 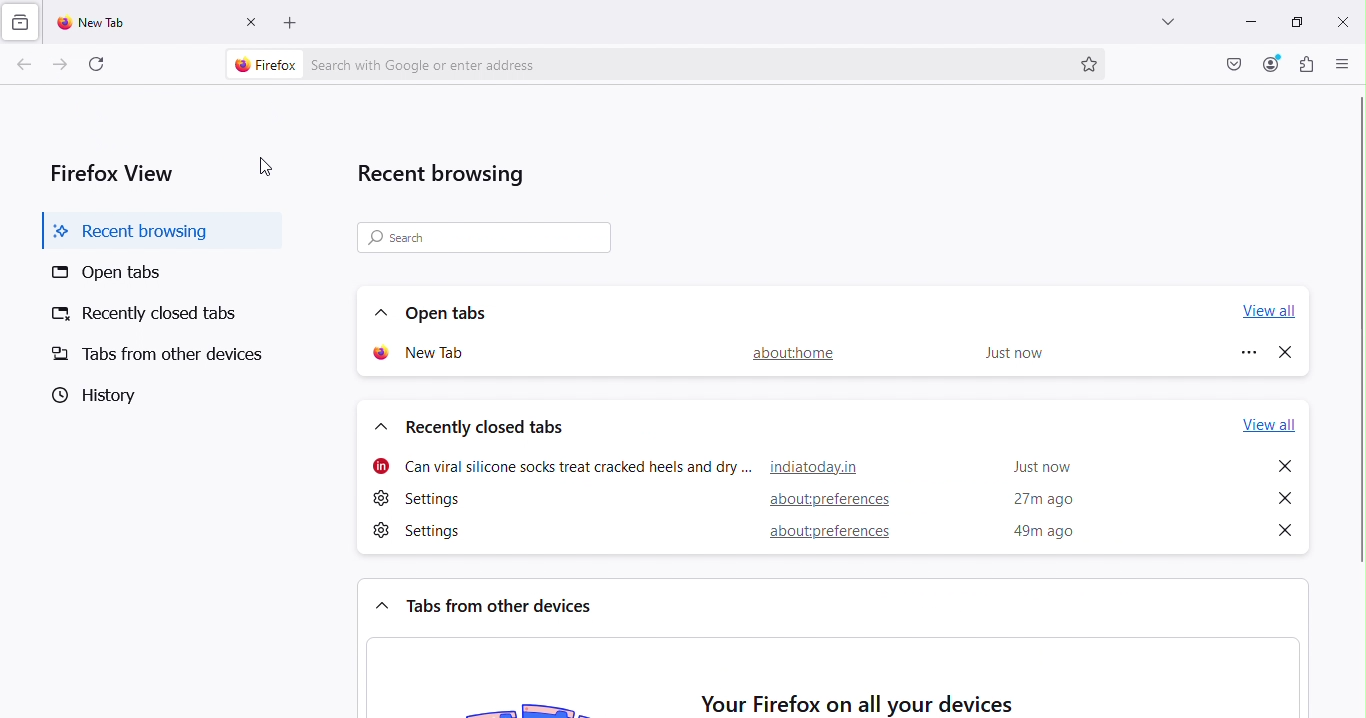 What do you see at coordinates (406, 500) in the screenshot?
I see `settings` at bounding box center [406, 500].